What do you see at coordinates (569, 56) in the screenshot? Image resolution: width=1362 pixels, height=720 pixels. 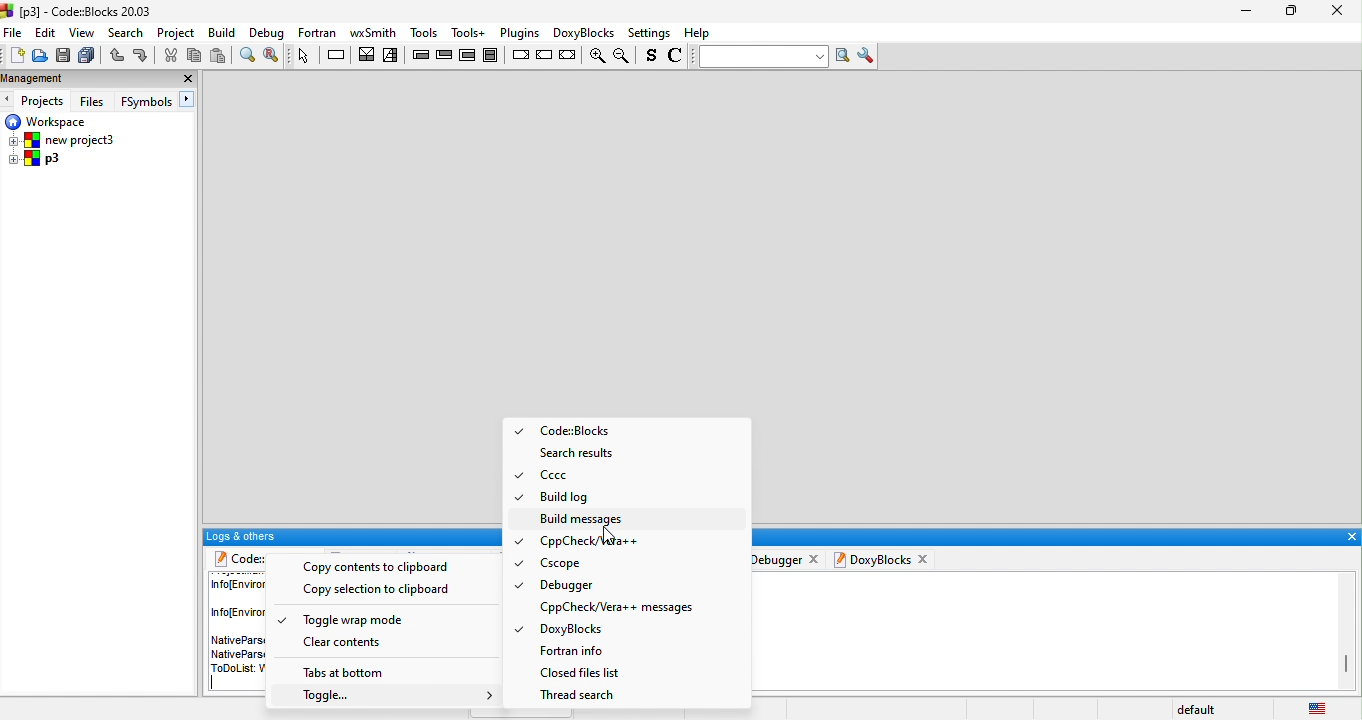 I see `return instruction` at bounding box center [569, 56].